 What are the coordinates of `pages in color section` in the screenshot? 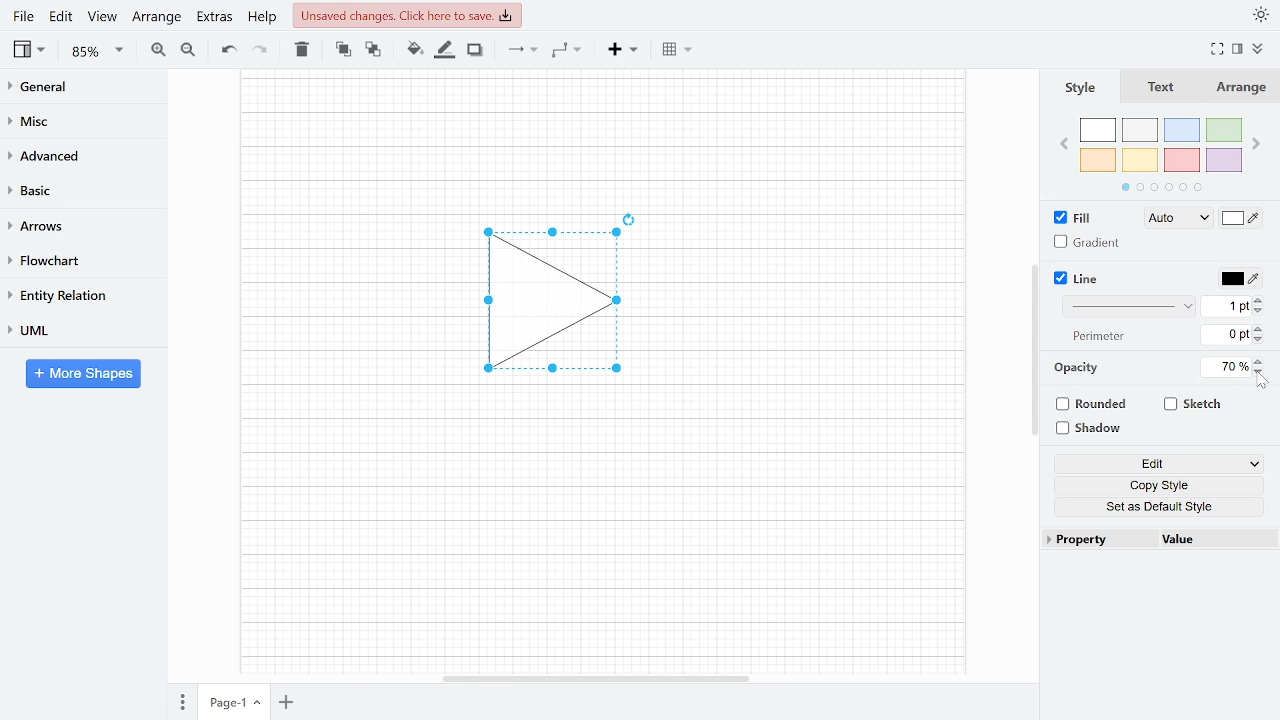 It's located at (1159, 185).